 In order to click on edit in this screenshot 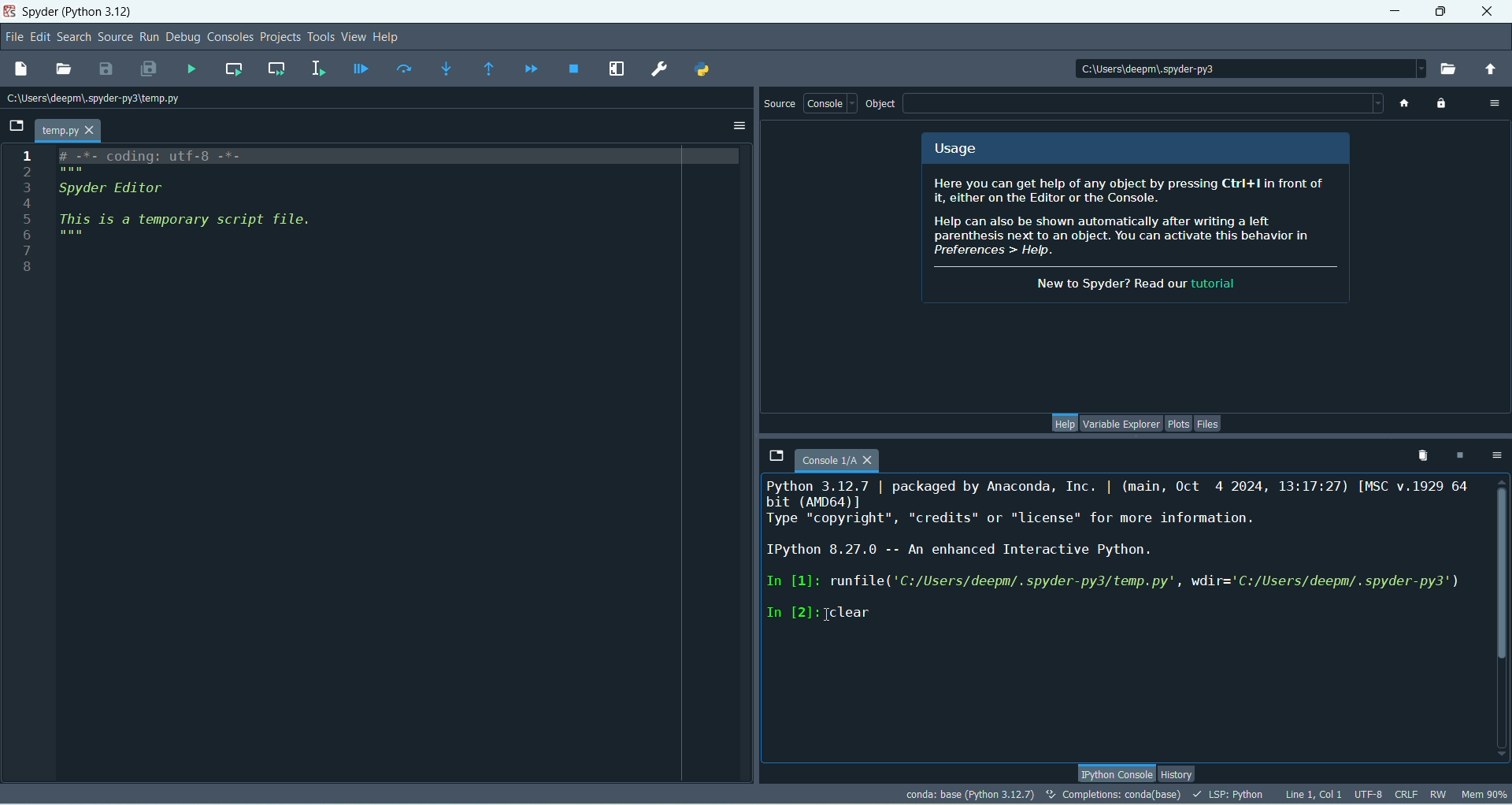, I will do `click(39, 38)`.